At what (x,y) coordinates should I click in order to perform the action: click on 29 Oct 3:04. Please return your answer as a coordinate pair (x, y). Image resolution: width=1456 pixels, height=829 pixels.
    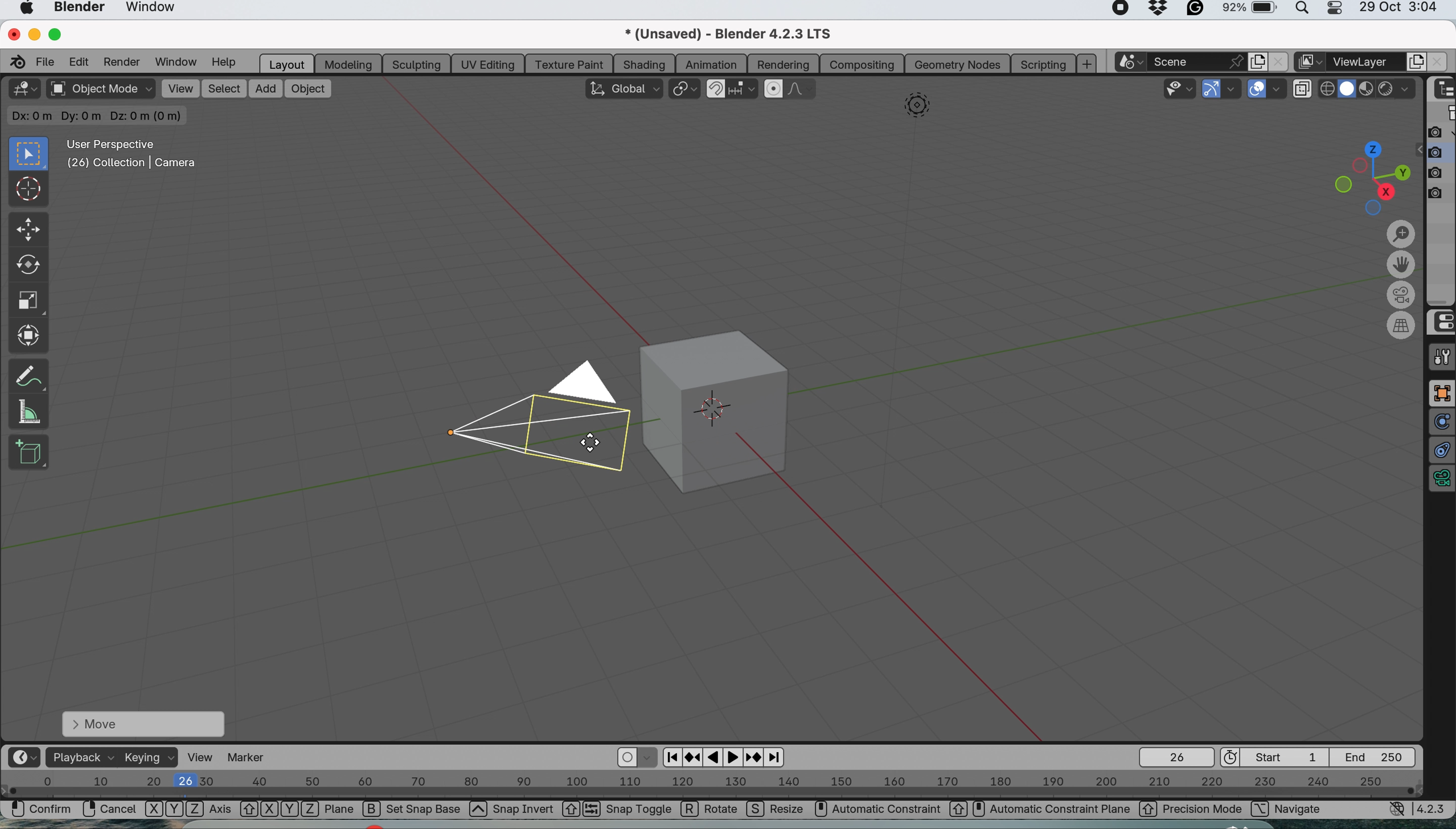
    Looking at the image, I should click on (1398, 8).